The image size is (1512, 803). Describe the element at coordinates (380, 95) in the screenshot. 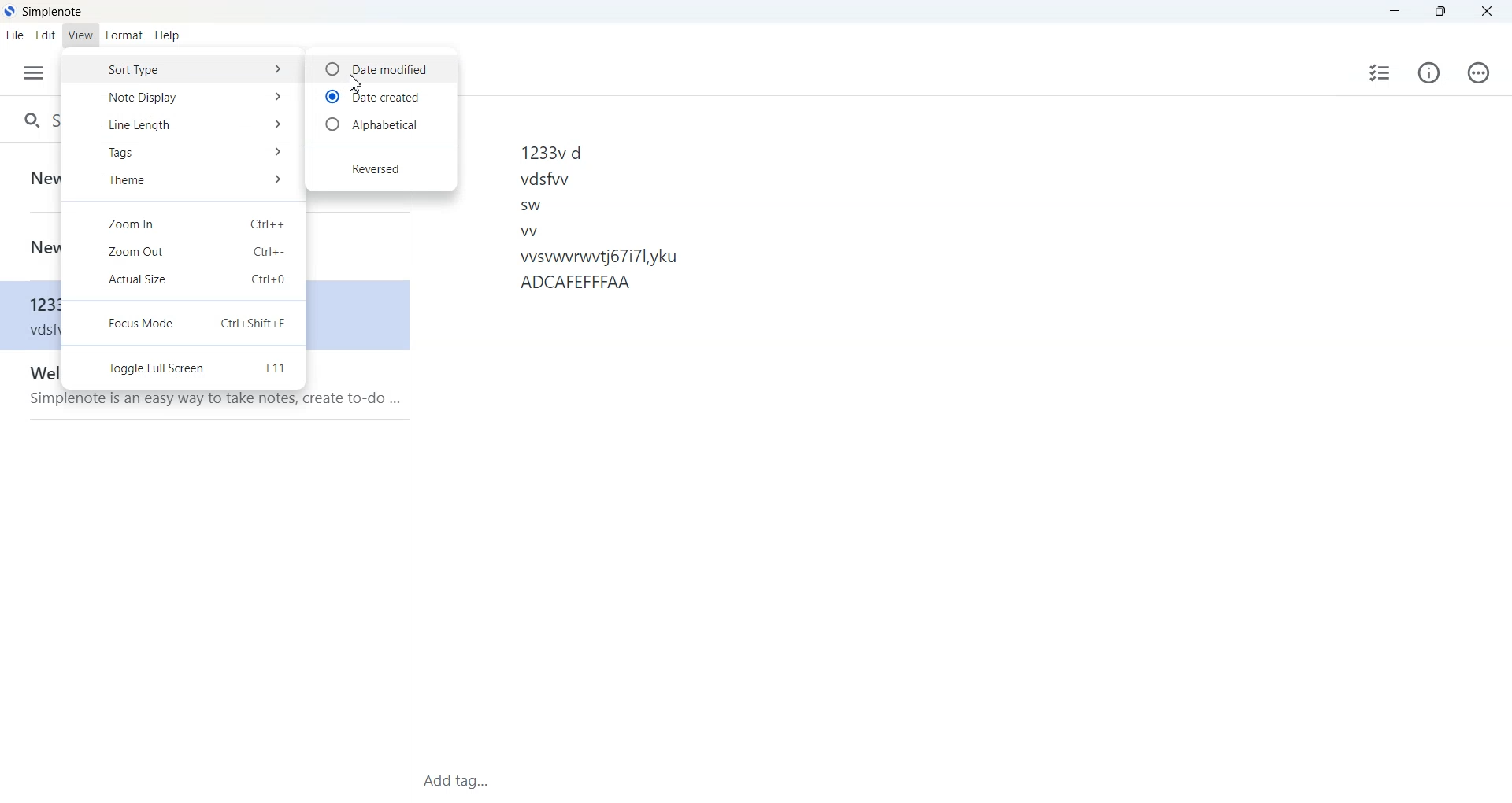

I see `Date created` at that location.